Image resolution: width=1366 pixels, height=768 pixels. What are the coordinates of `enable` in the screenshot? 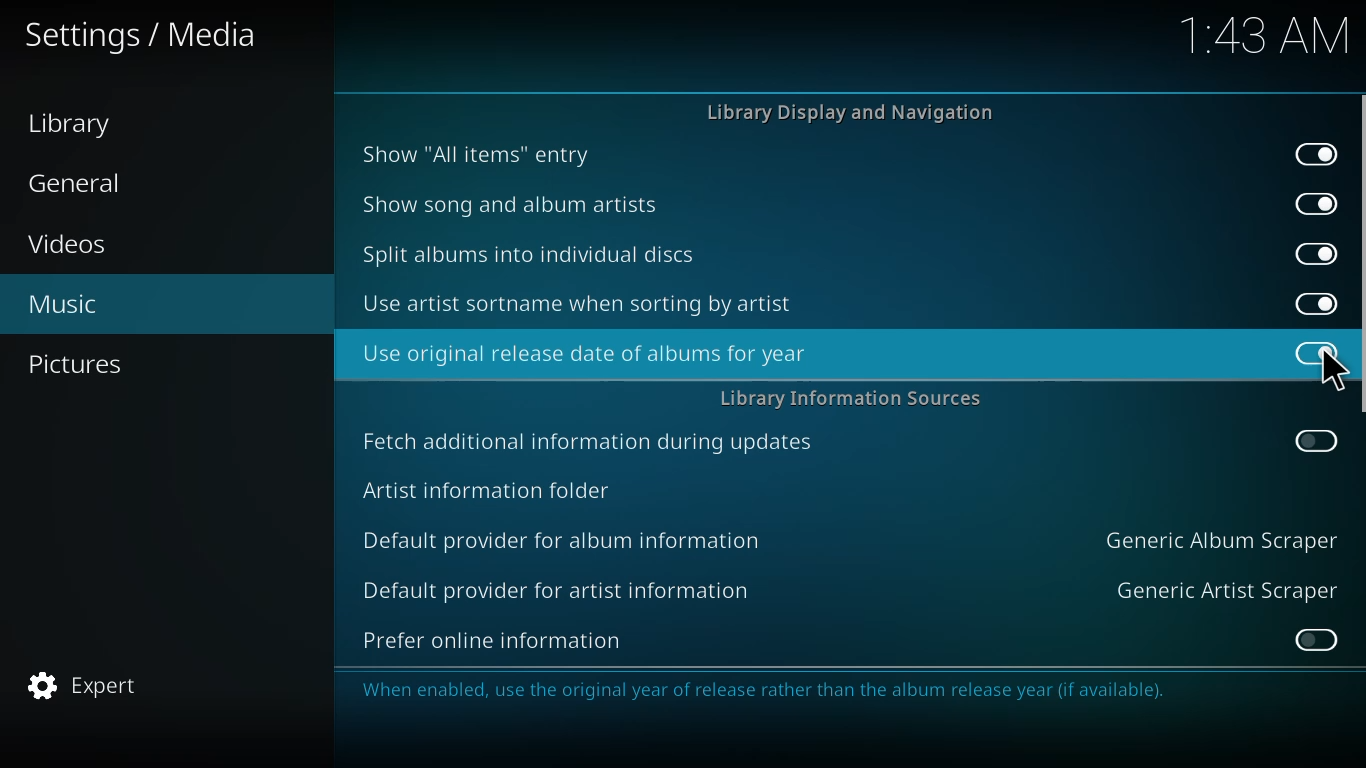 It's located at (1314, 439).